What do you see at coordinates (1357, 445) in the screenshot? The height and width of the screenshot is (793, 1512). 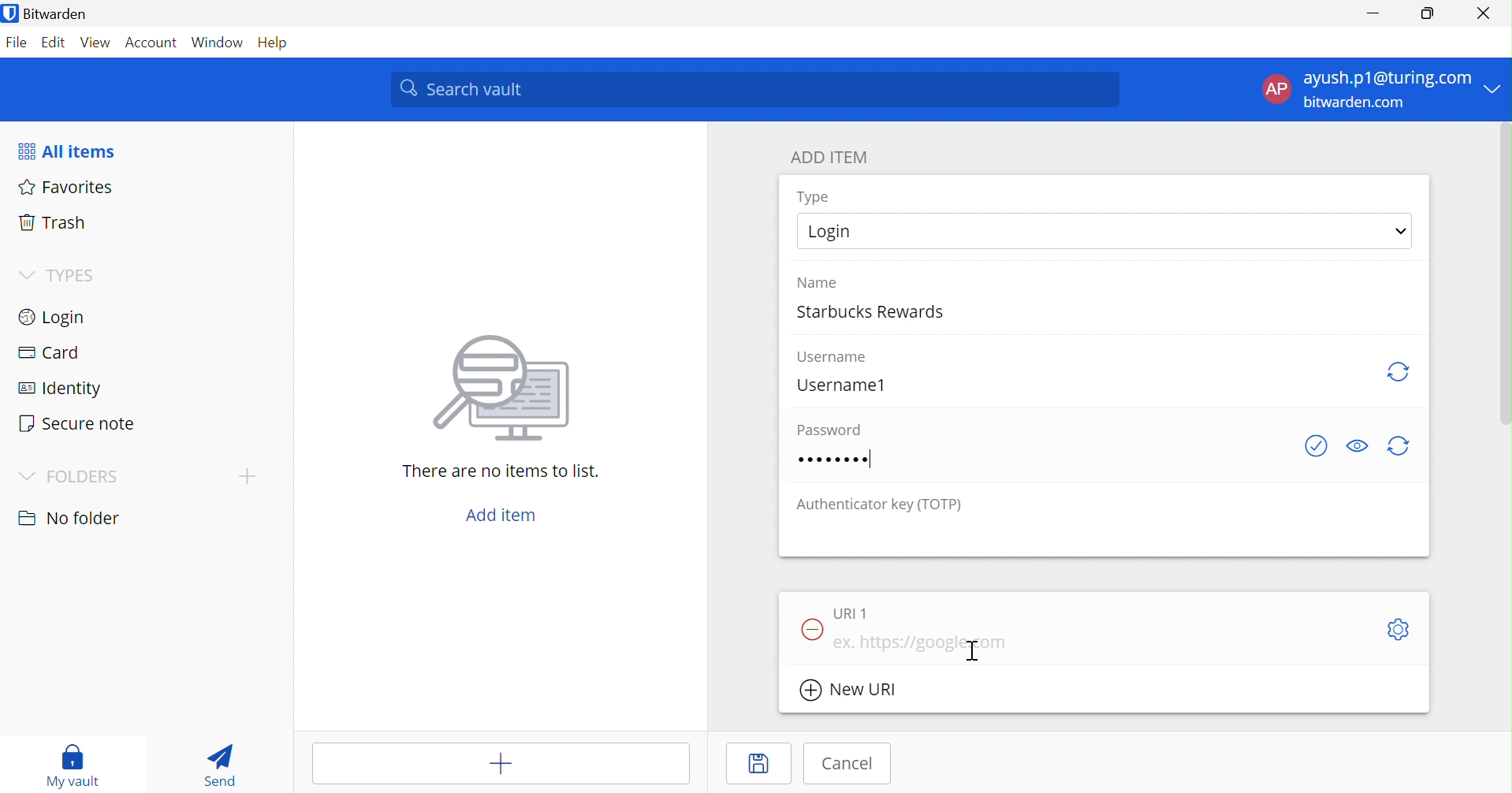 I see `Toggle visibility` at bounding box center [1357, 445].